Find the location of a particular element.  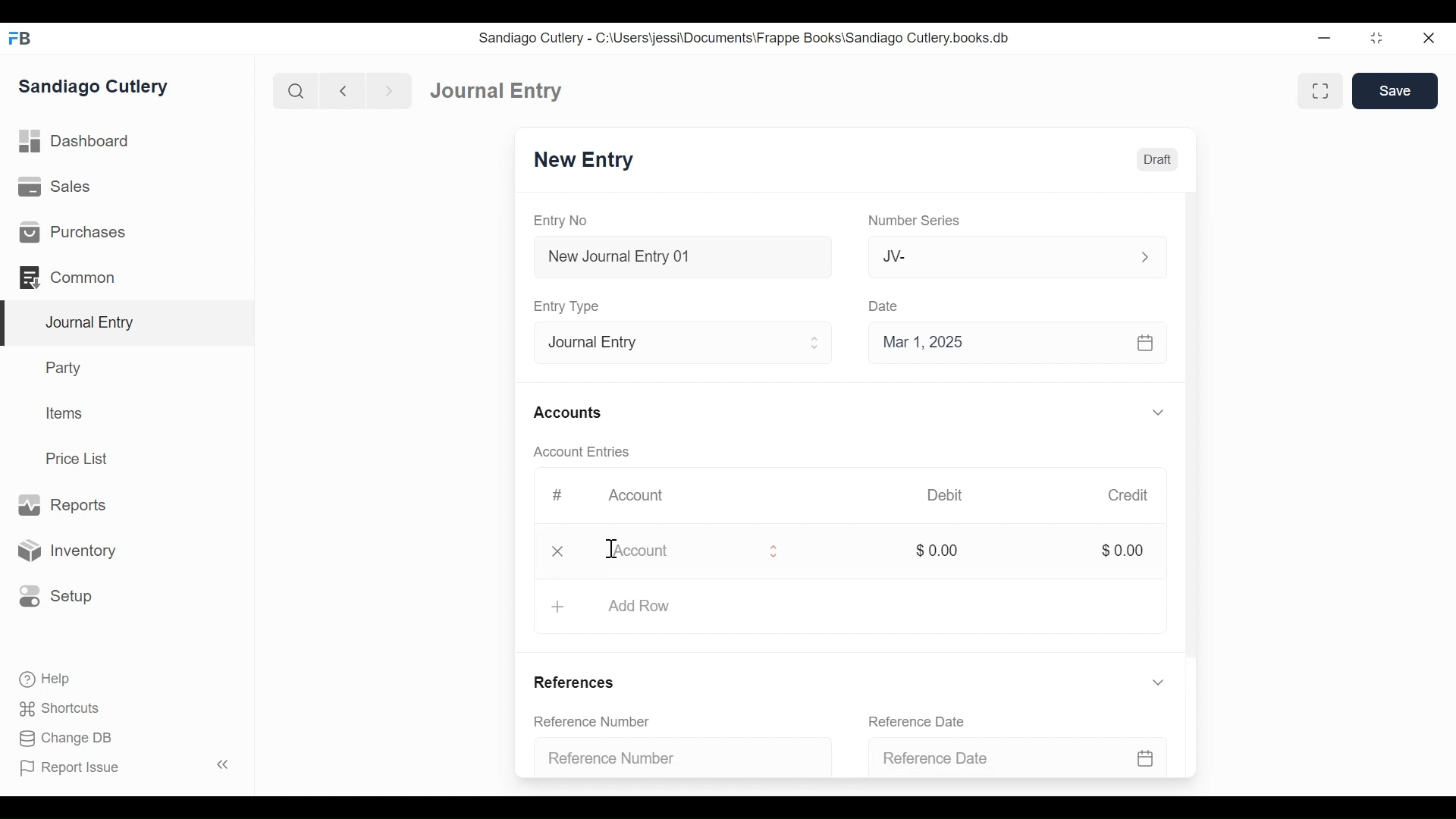

Entry Type is located at coordinates (566, 306).